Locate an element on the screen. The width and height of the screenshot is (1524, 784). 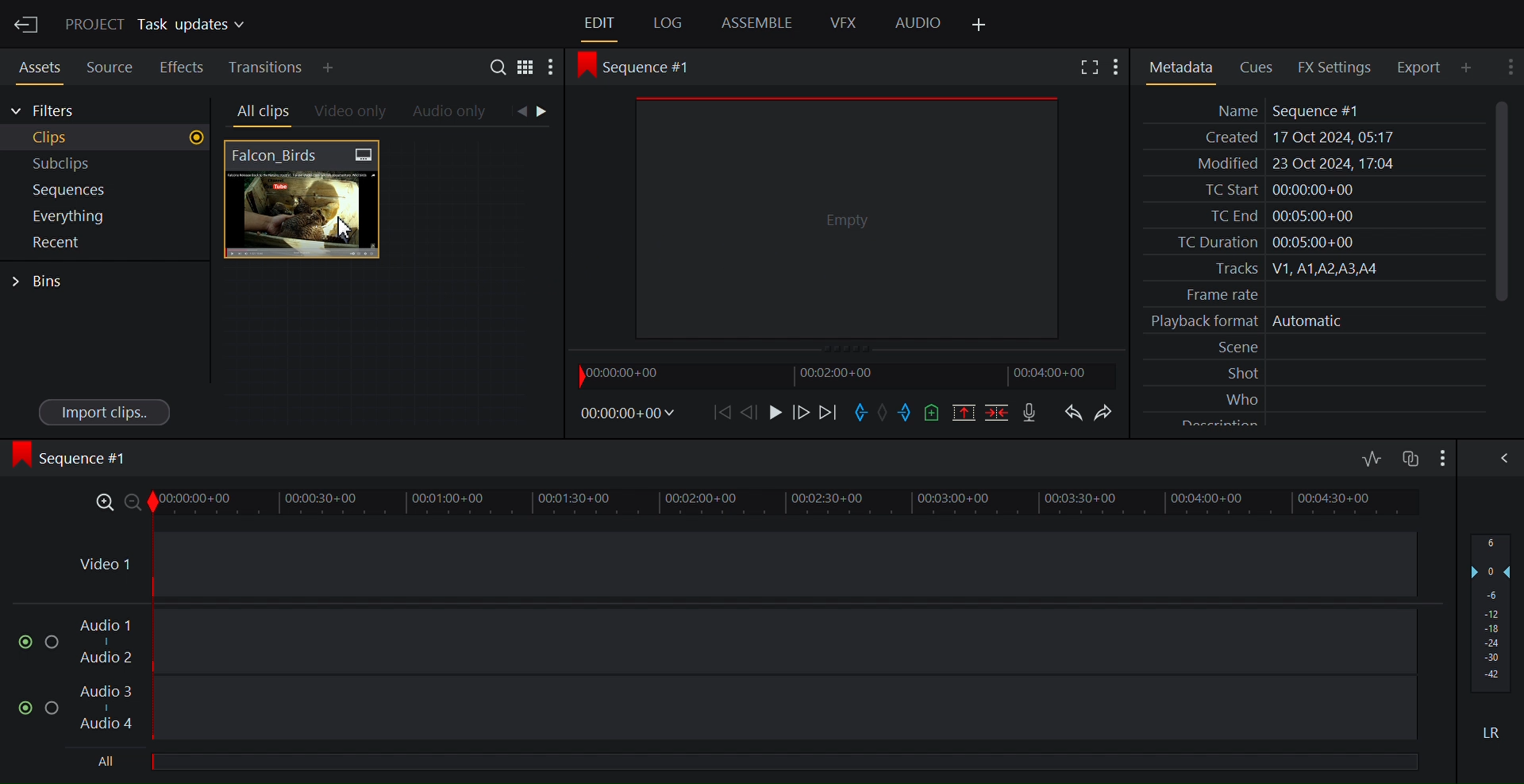
Click to go back is located at coordinates (521, 112).